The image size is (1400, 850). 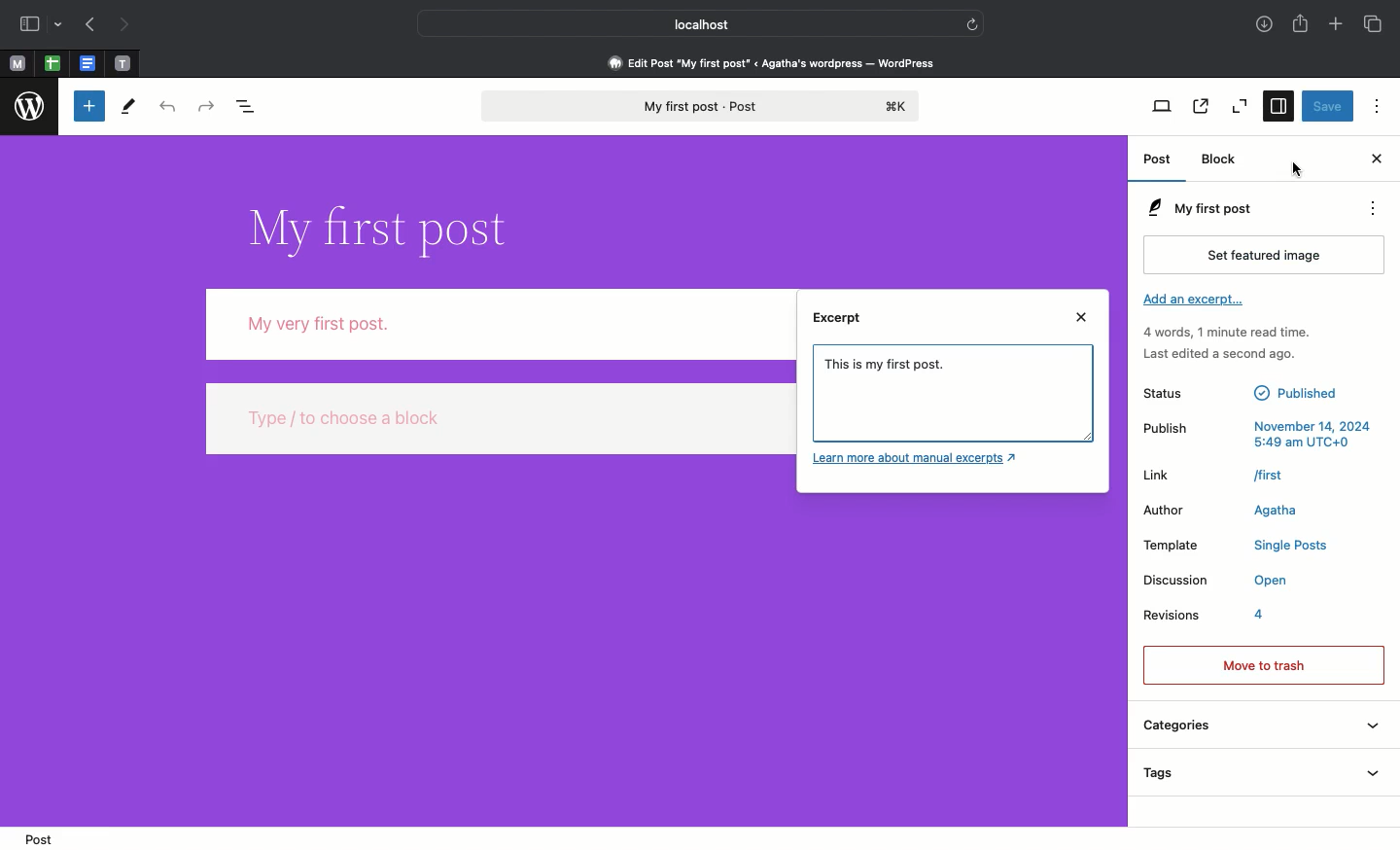 What do you see at coordinates (1236, 547) in the screenshot?
I see `Template` at bounding box center [1236, 547].